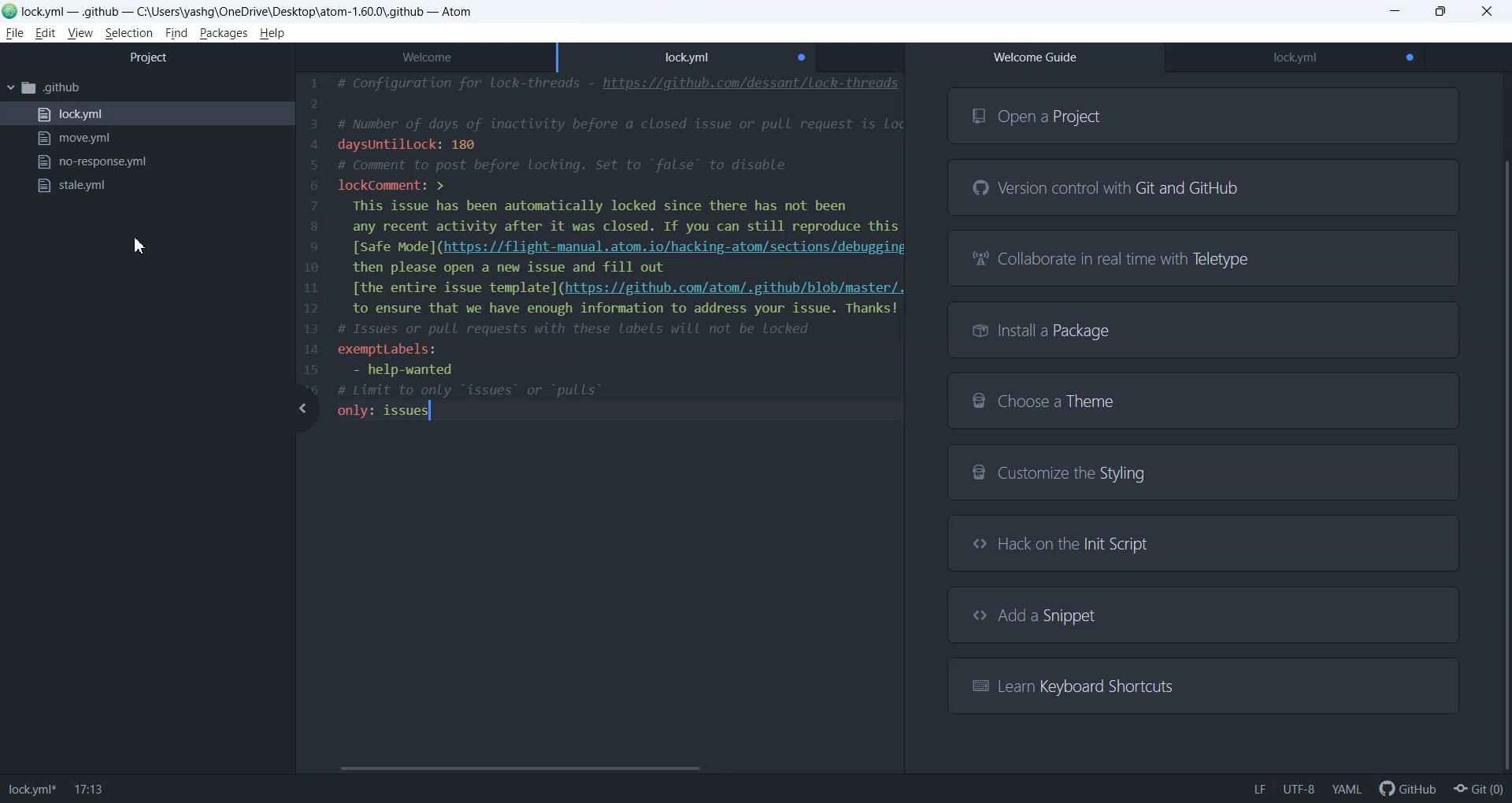  I want to click on Welcome , so click(425, 54).